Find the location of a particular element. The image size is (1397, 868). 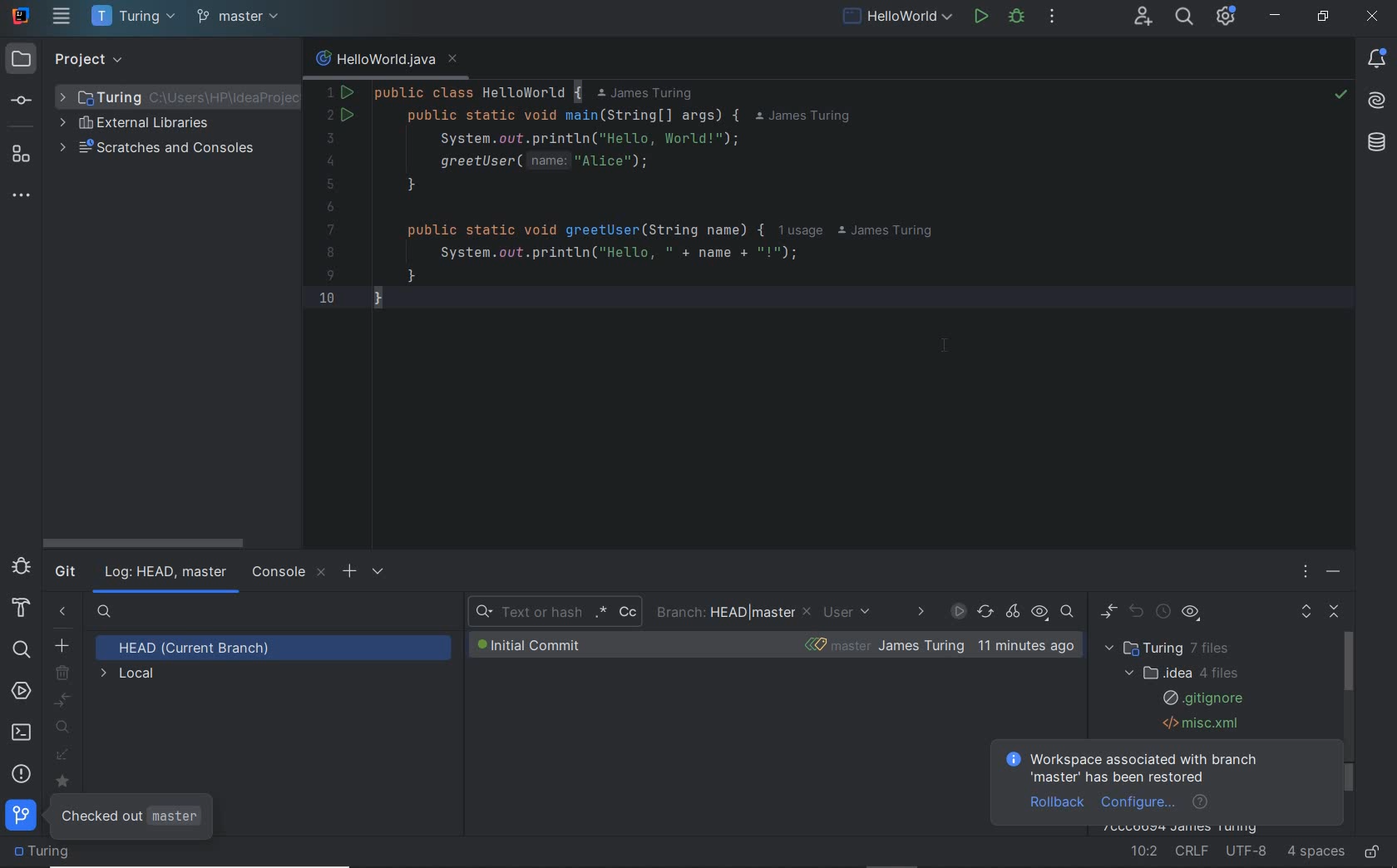

terminal is located at coordinates (22, 732).